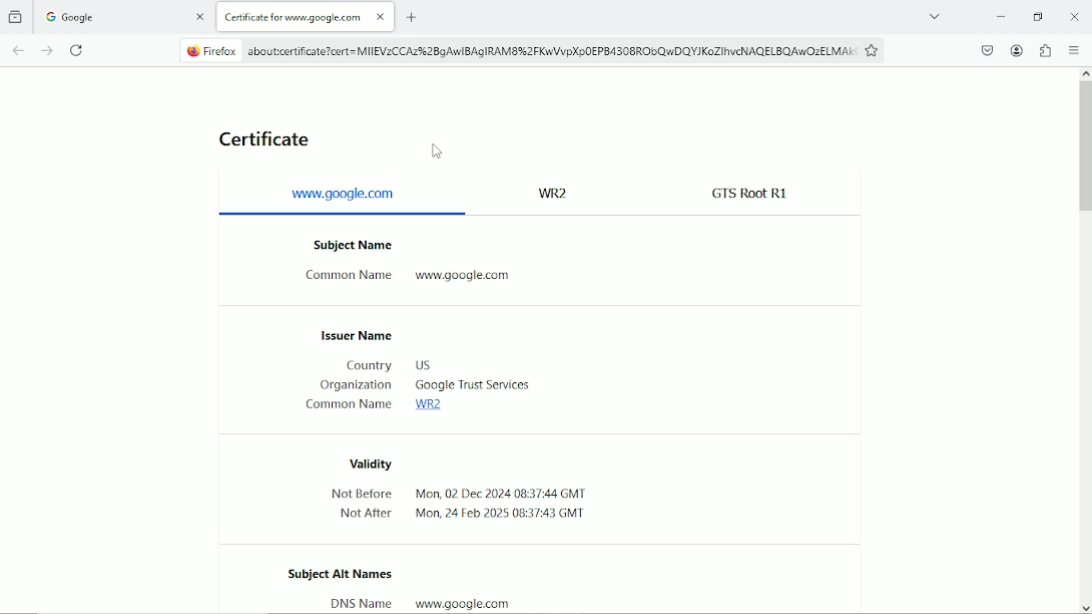 This screenshot has height=614, width=1092. What do you see at coordinates (361, 603) in the screenshot?
I see `DNS Name` at bounding box center [361, 603].